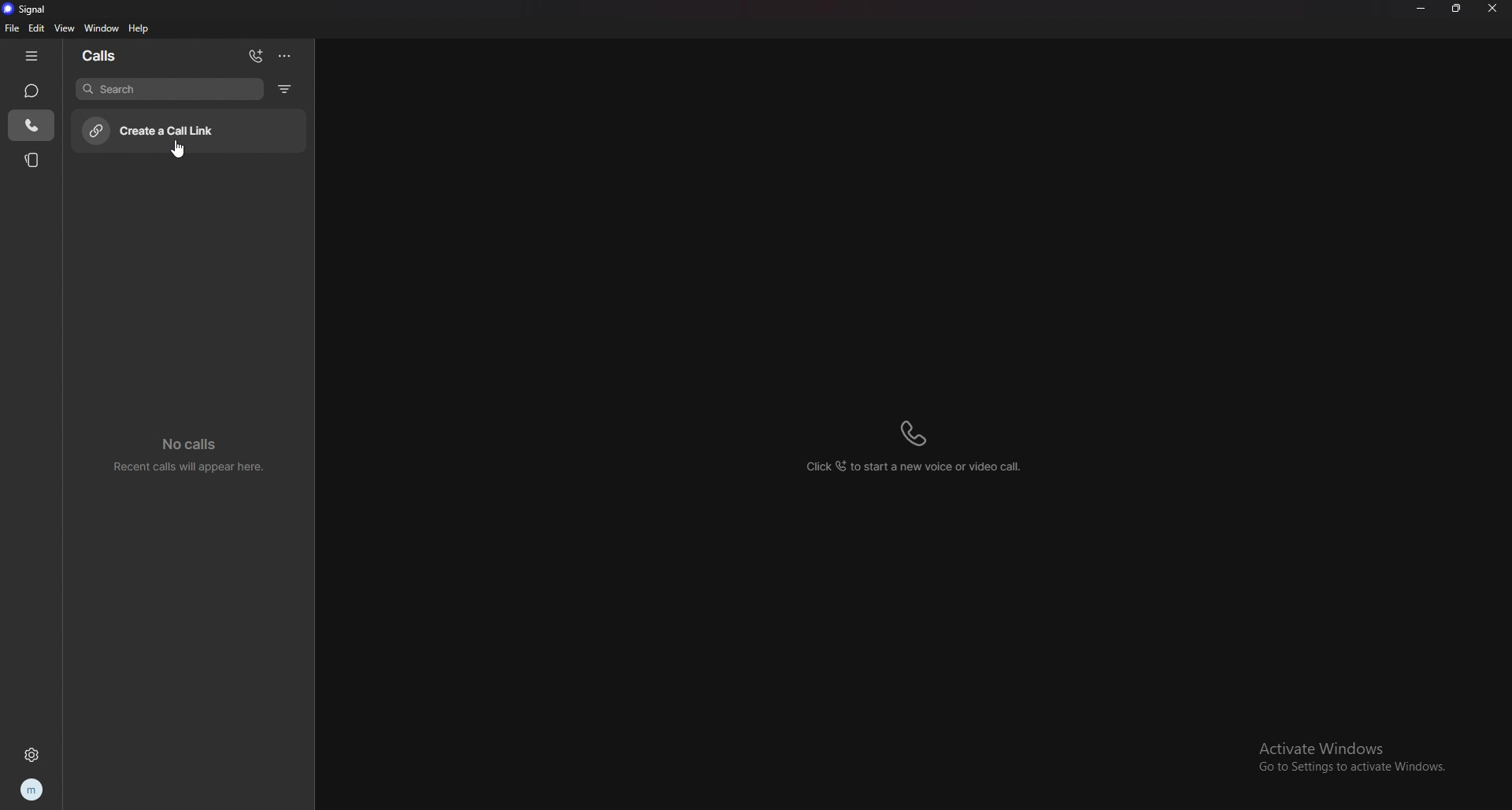 This screenshot has height=810, width=1512. What do you see at coordinates (31, 754) in the screenshot?
I see `settings` at bounding box center [31, 754].